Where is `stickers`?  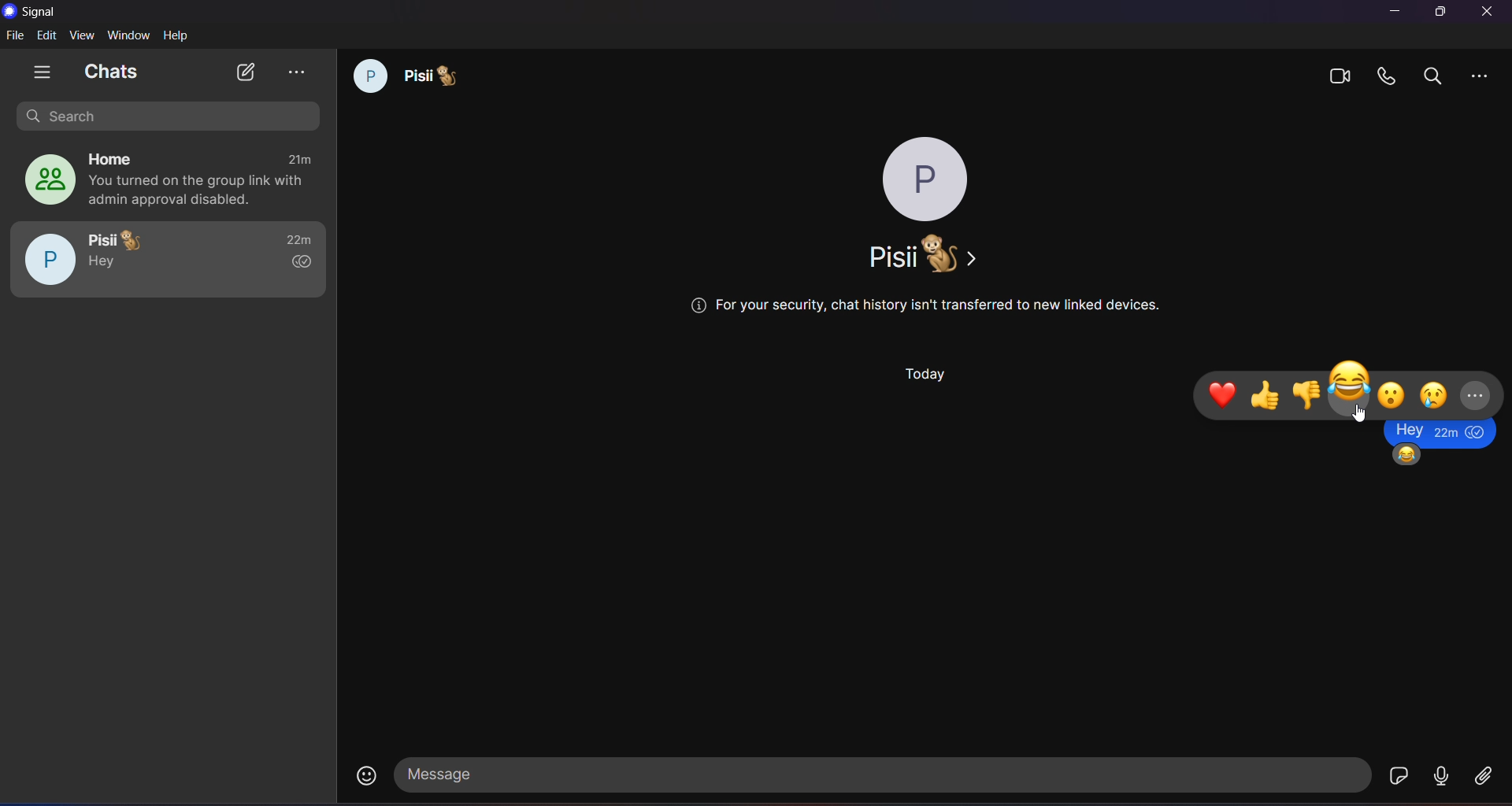
stickers is located at coordinates (1400, 775).